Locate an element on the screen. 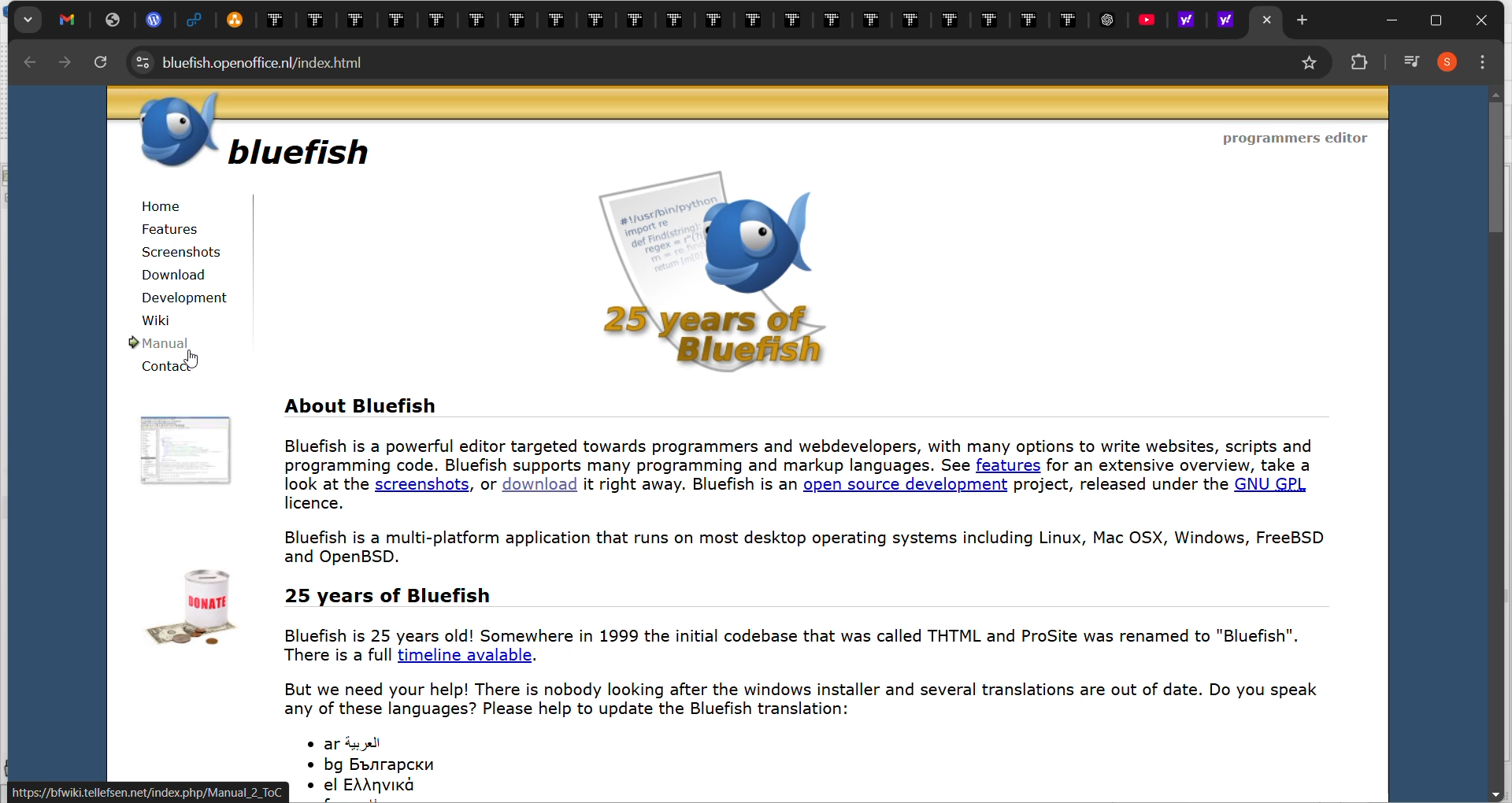  About Bluefish
Bluefish is a powerful editor targeted towards programmers and webdevelopers, with many options to write websites, scripts and
programming code. Bluefish supports many programming and markup languages. See features for an extensive overview, take a
look at the screenshots, or download it right away. Bluefish is an open source development project, released under the GNU GPL
licence.
Bluefish is a multi-platform application that runs on most desktop operating systems including Linux, Mac OSX, Windows, FreeBSD
and OpenBSD.
25 years of Bluefish
Bluefish is 25 years old! Somewhere in 1999 the initial codebase that was called THTML and ProSite was renamed to "Bluefish".
There is a full timeline avalable.
But we need your help! There is nobody looking after the windows installer and several translations are out of date. Do you speak
any of these languages? Please help to update the Bluefish translation:

* ards

* bg Bvarapcku

mm + el EAAAVIKA is located at coordinates (830, 594).